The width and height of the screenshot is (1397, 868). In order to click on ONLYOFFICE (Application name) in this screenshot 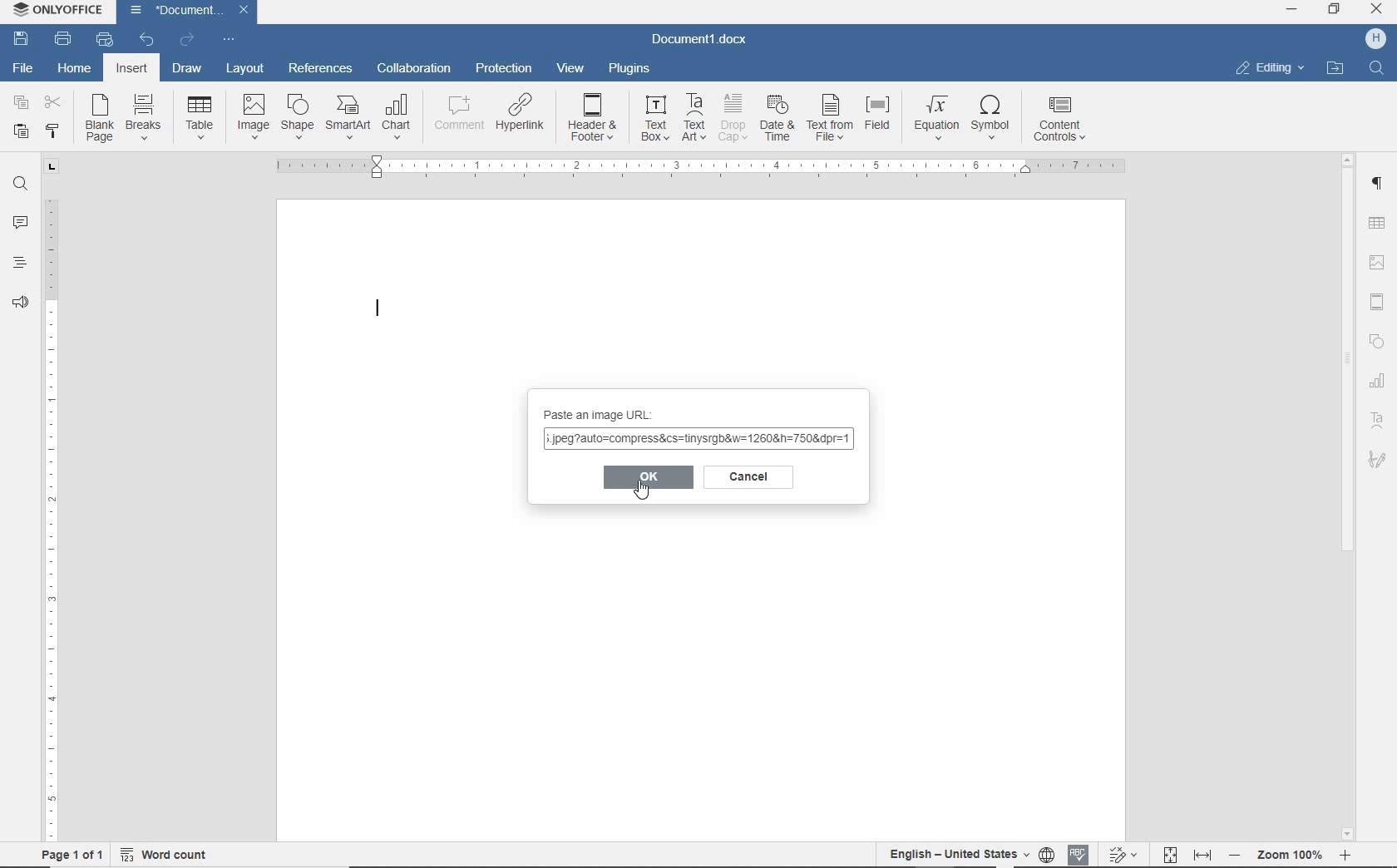, I will do `click(53, 11)`.